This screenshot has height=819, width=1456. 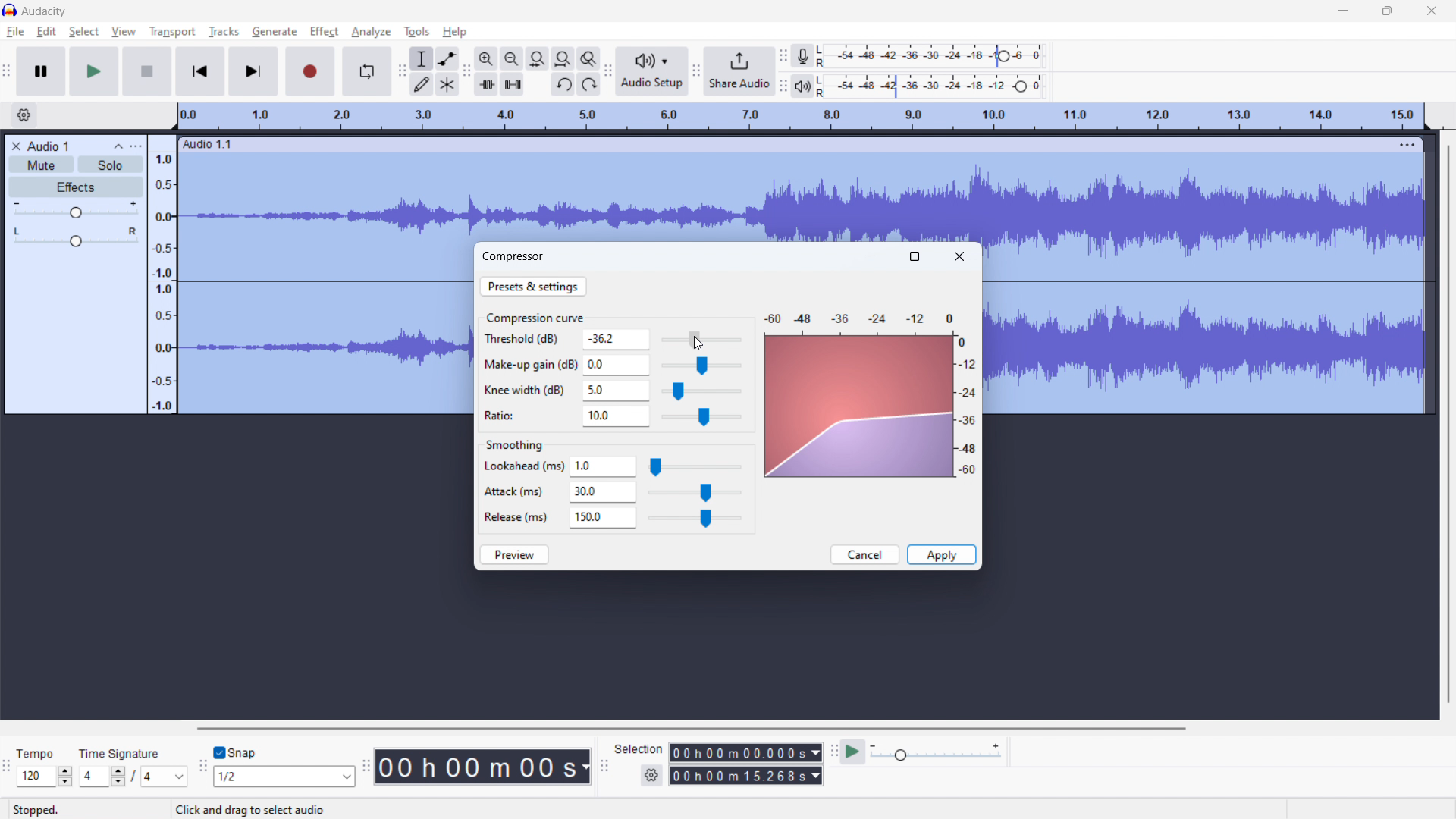 I want to click on close, so click(x=1432, y=11).